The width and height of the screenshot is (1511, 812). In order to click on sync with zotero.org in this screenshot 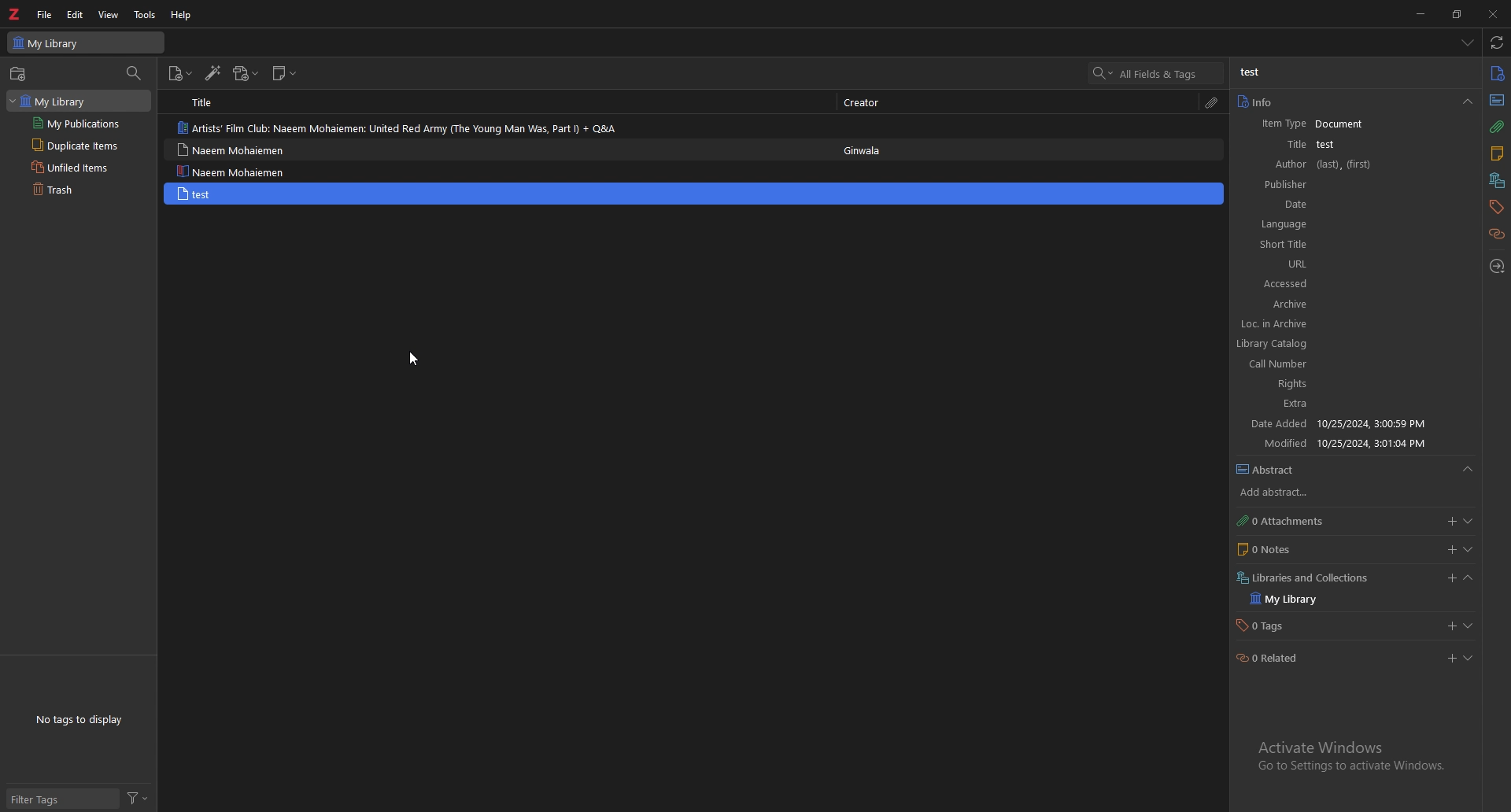, I will do `click(1497, 42)`.